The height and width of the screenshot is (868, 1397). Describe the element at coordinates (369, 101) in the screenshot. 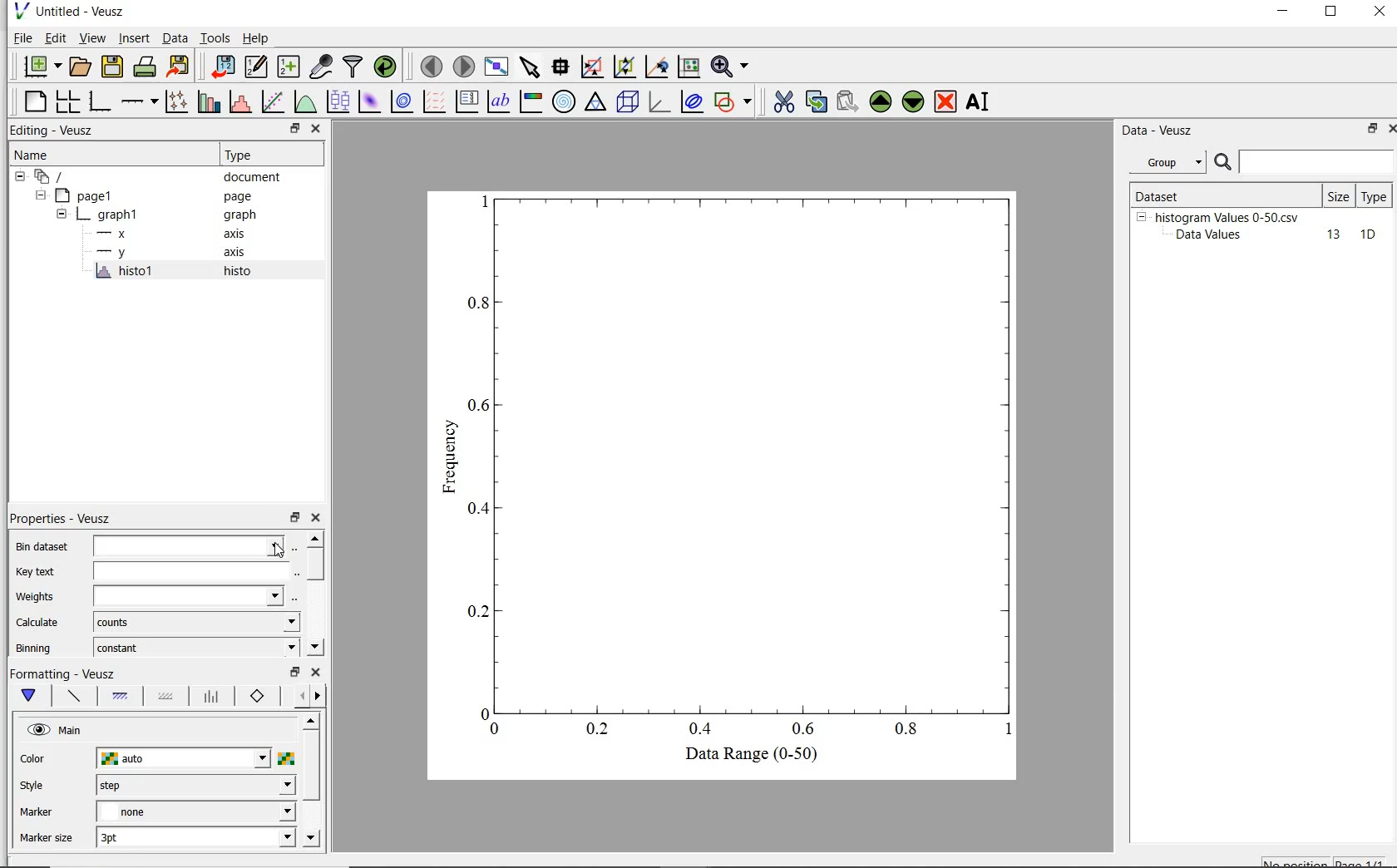

I see `plot 2d dataset as an image` at that location.